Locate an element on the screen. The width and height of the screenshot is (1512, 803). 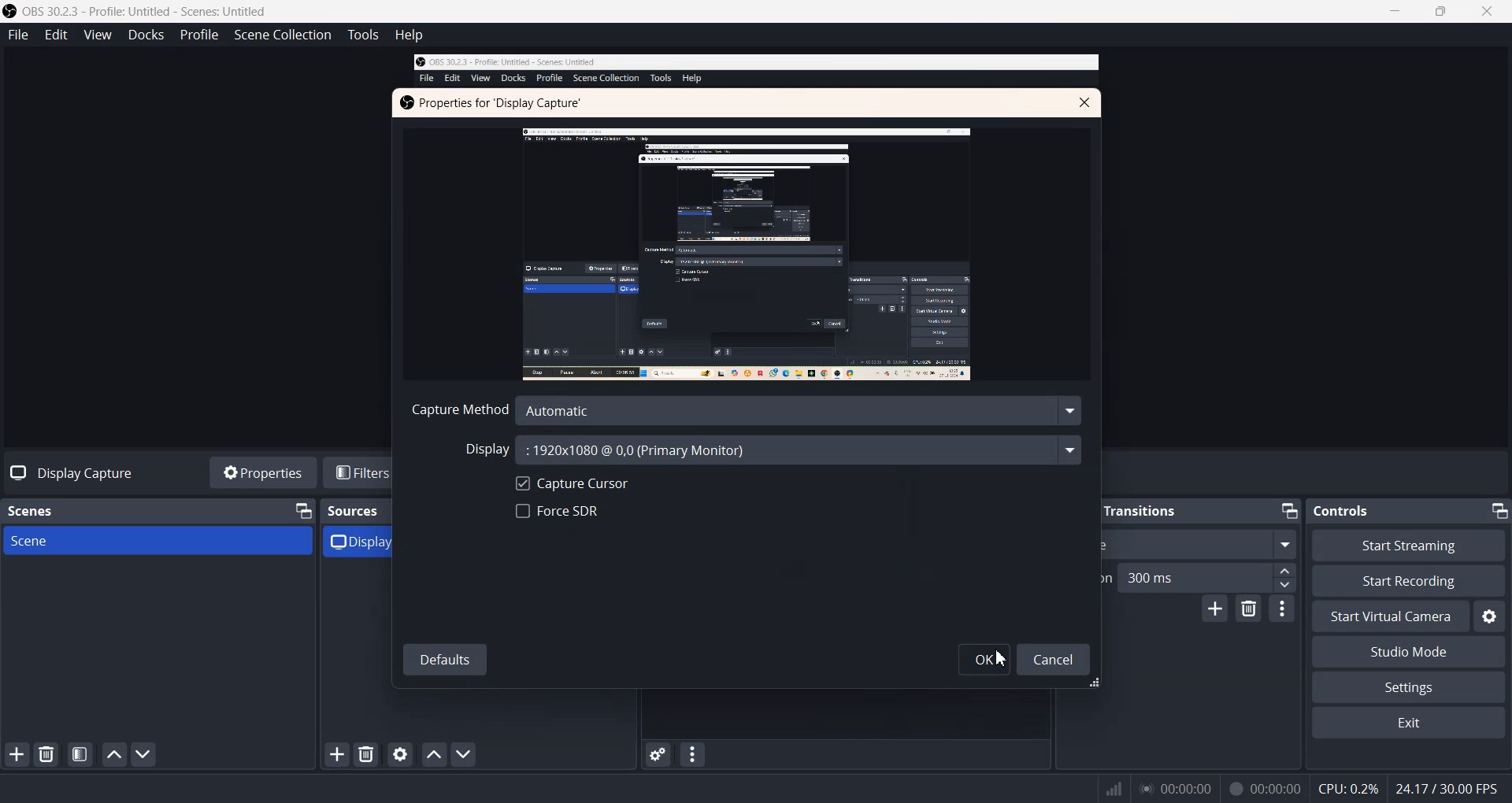
Add Sources is located at coordinates (337, 754).